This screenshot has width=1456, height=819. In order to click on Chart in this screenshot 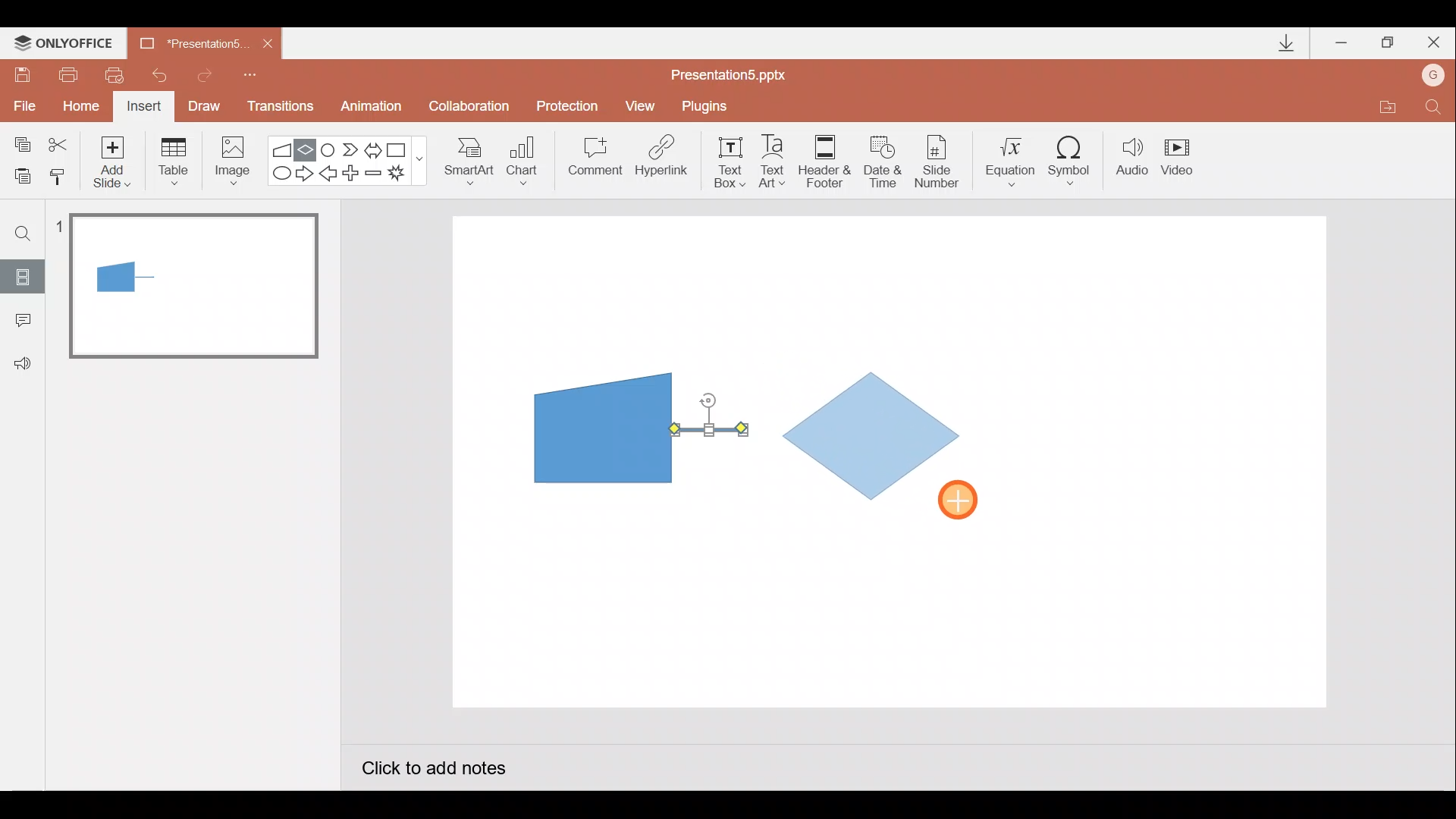, I will do `click(522, 158)`.